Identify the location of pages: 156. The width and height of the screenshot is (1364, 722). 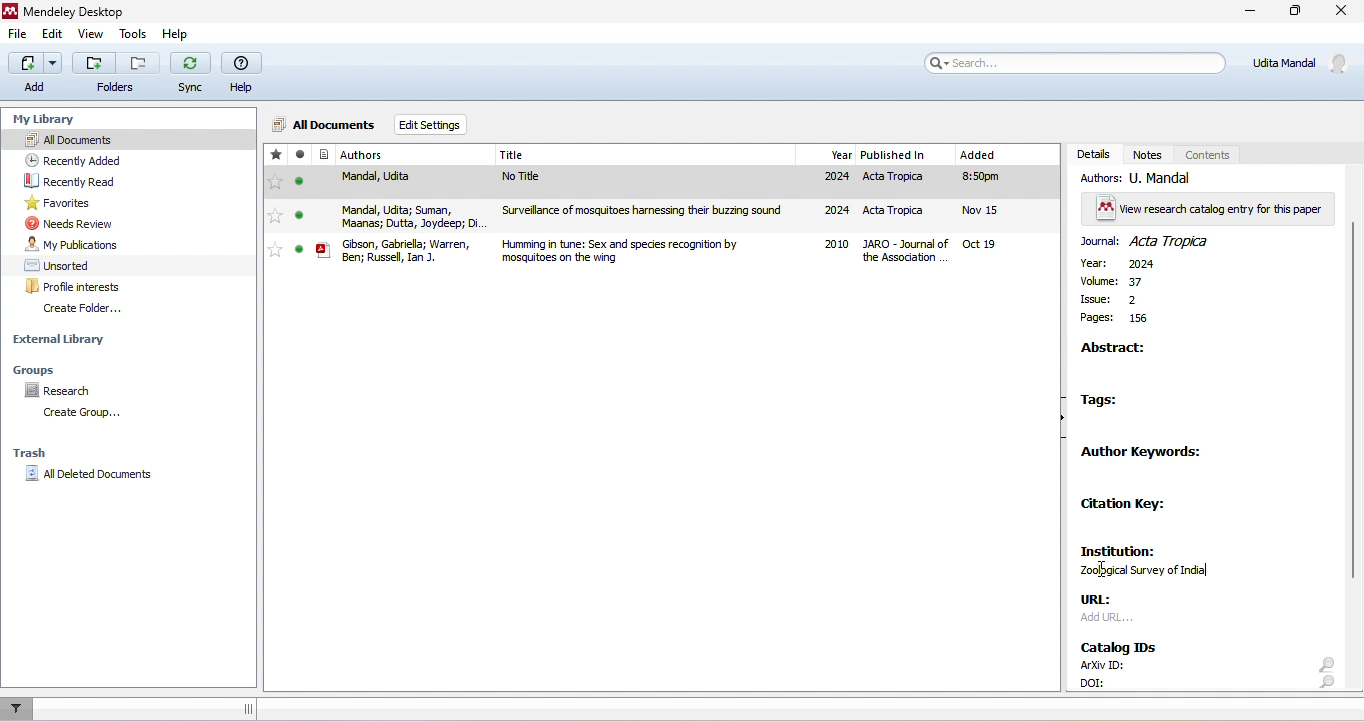
(1116, 320).